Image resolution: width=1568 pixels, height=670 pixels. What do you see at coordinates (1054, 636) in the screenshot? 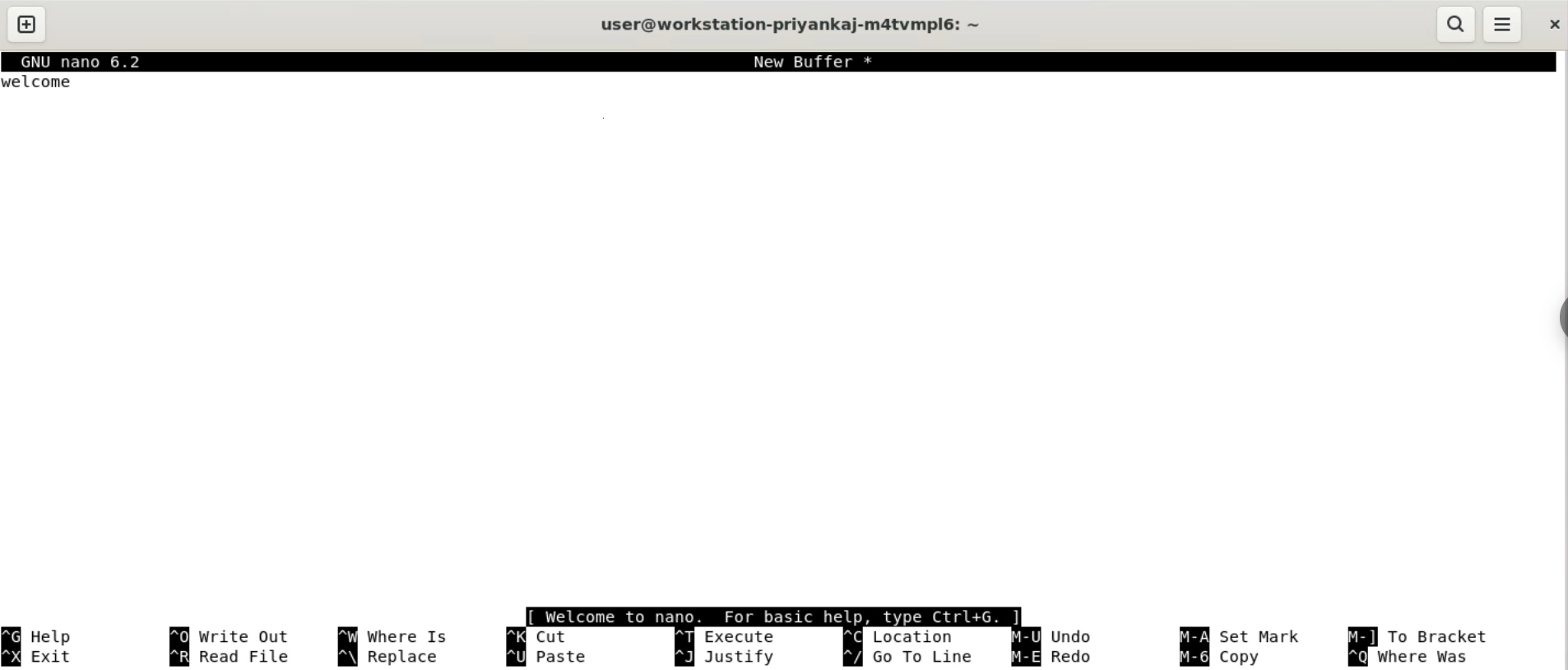
I see `undo` at bounding box center [1054, 636].